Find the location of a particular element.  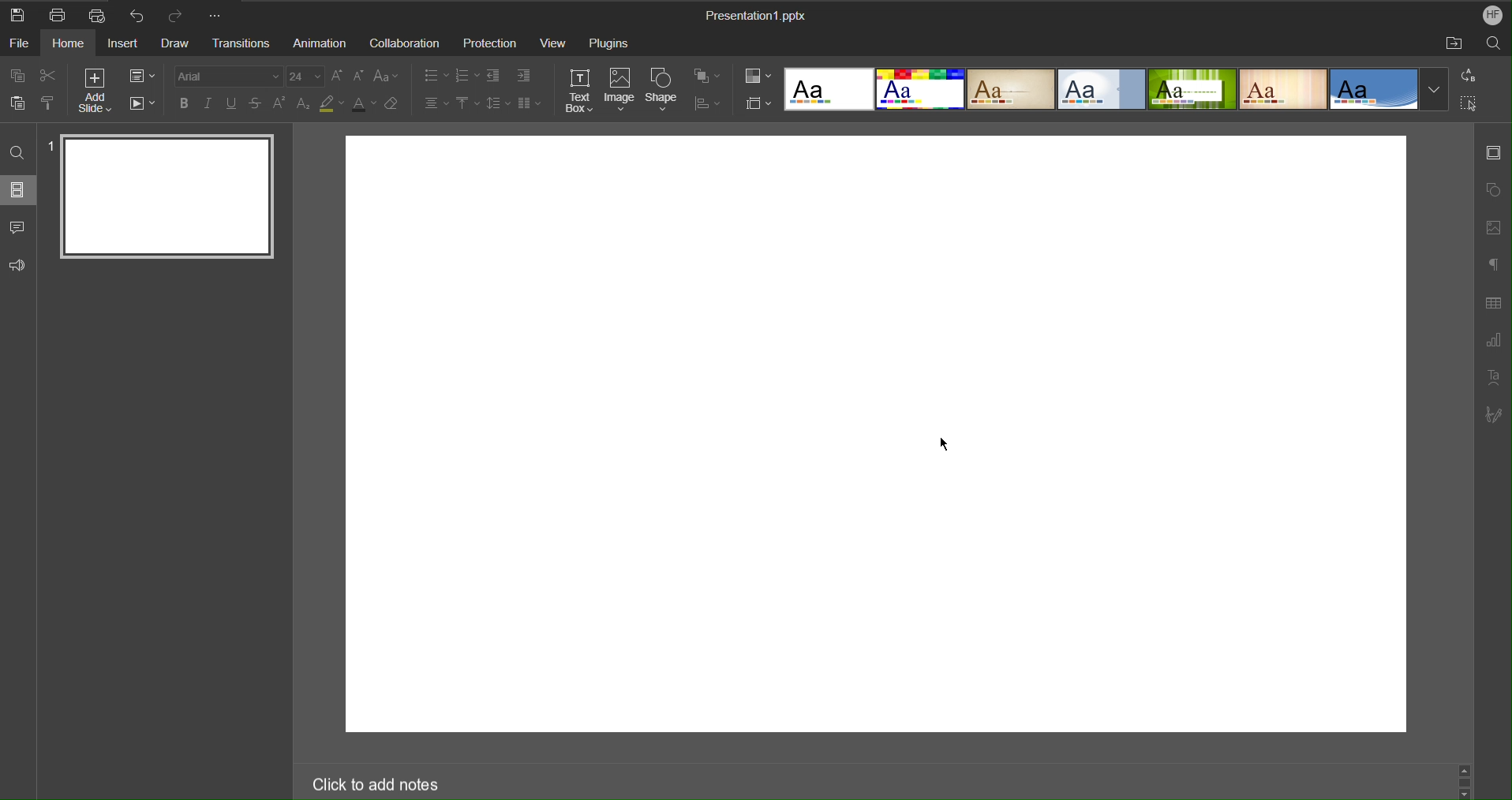

More is located at coordinates (217, 14).